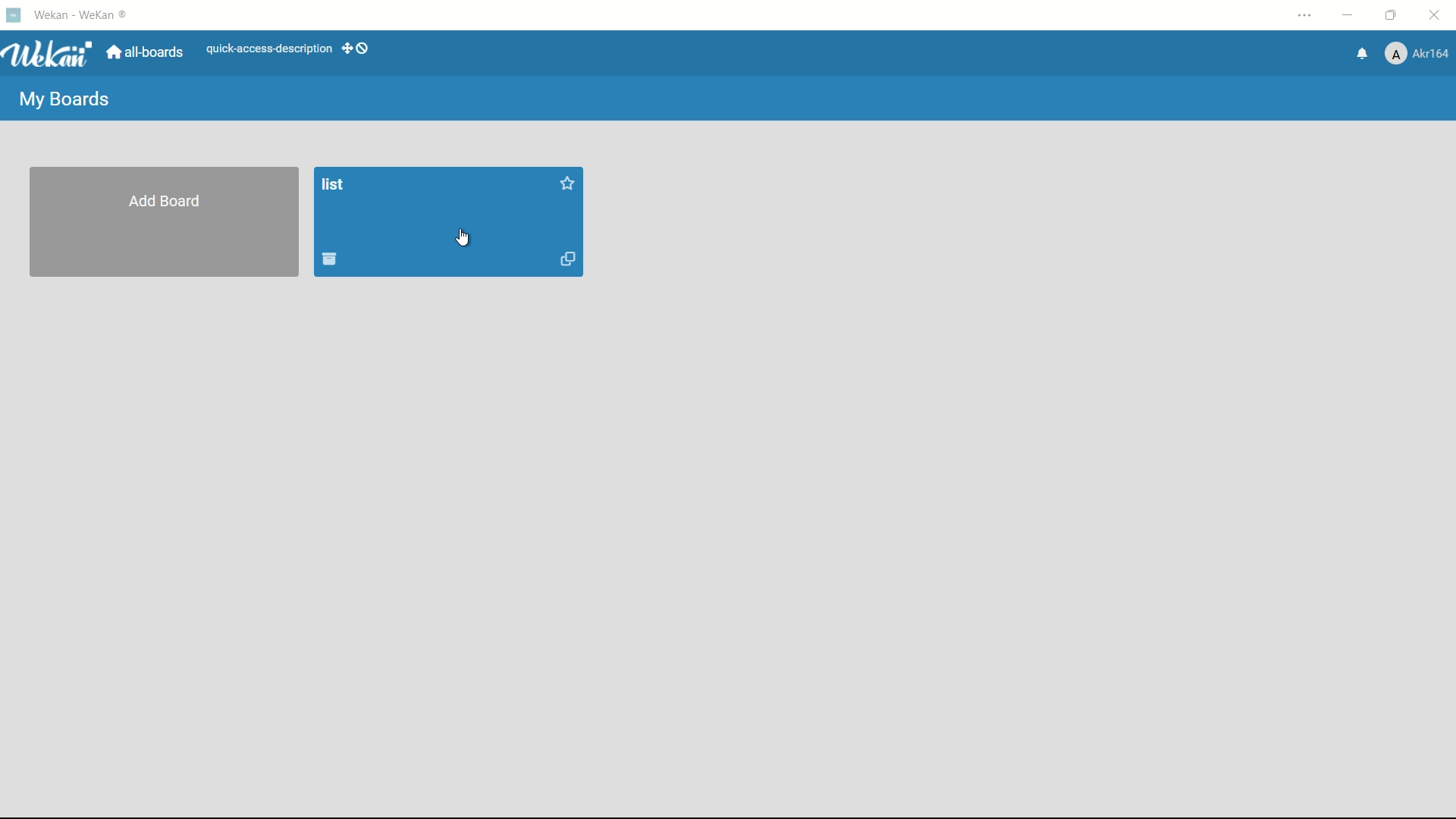 Image resolution: width=1456 pixels, height=819 pixels. Describe the element at coordinates (356, 49) in the screenshot. I see `show-desktop-drag-handles` at that location.